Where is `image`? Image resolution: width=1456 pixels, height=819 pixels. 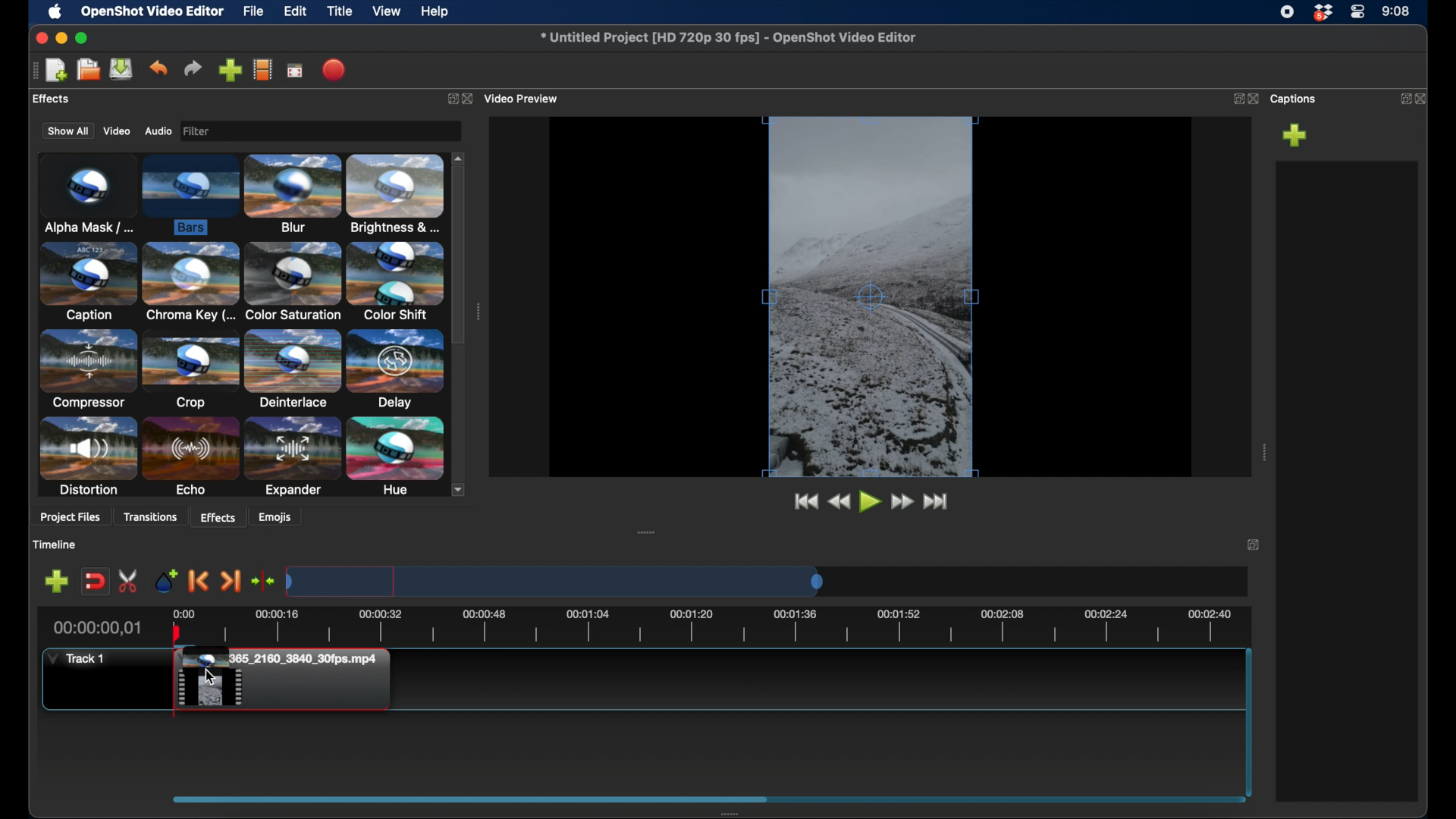 image is located at coordinates (200, 131).